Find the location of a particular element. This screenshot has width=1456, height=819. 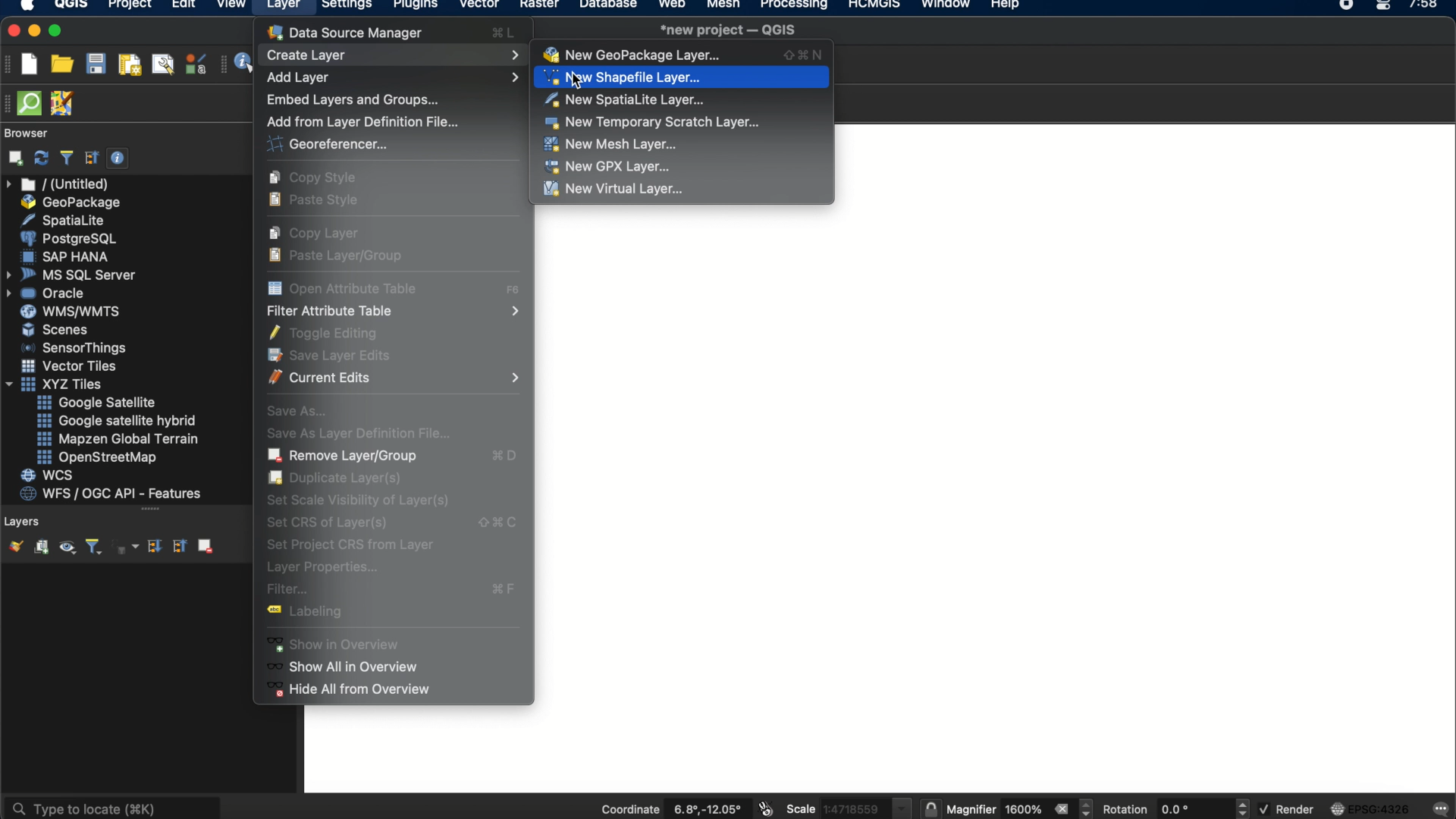

vector tiles is located at coordinates (71, 366).